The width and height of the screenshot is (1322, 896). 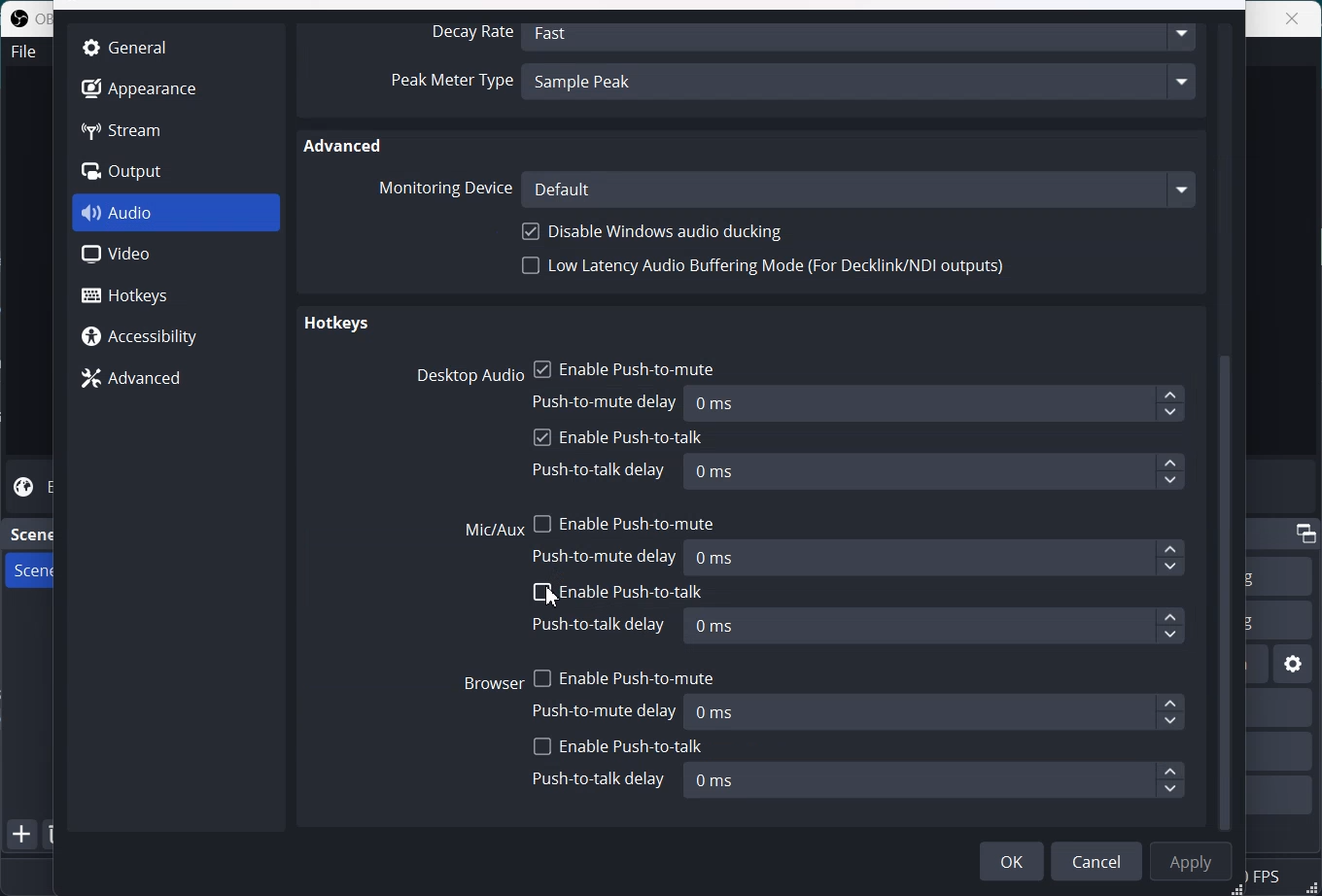 I want to click on Advanced, so click(x=175, y=377).